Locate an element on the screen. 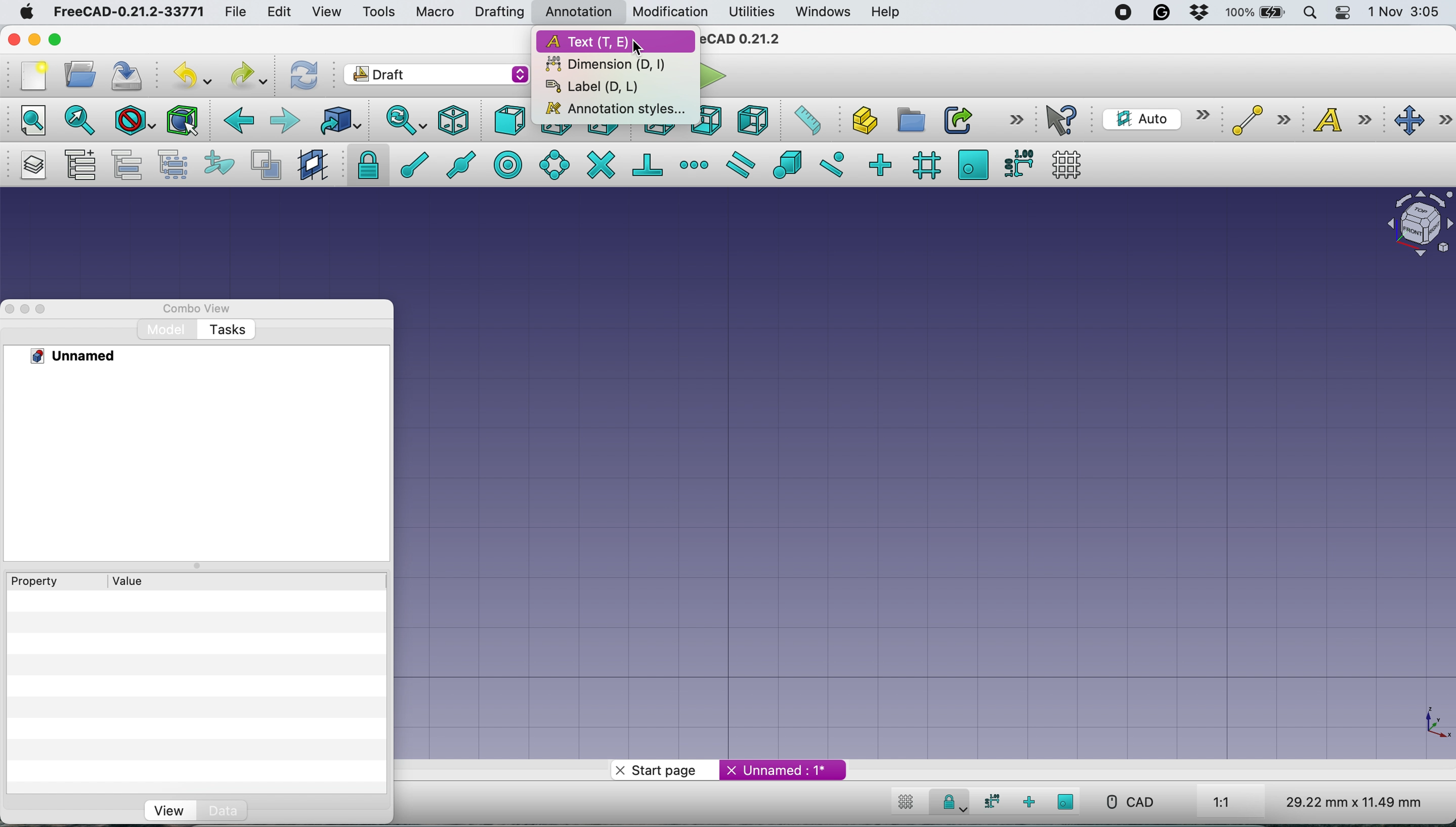 The height and width of the screenshot is (827, 1456). save is located at coordinates (126, 73).